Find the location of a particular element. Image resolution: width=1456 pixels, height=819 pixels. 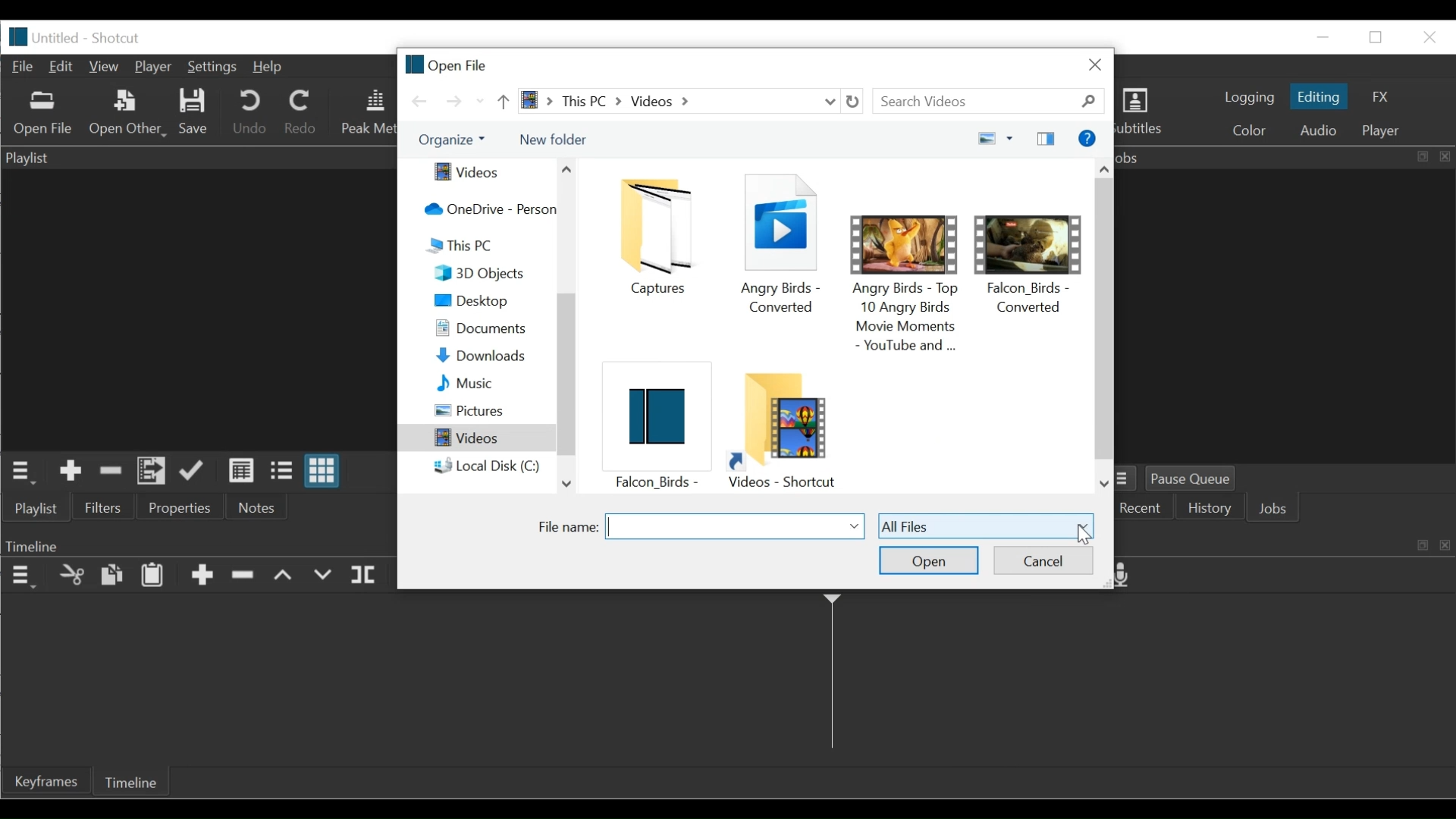

Undo is located at coordinates (249, 112).